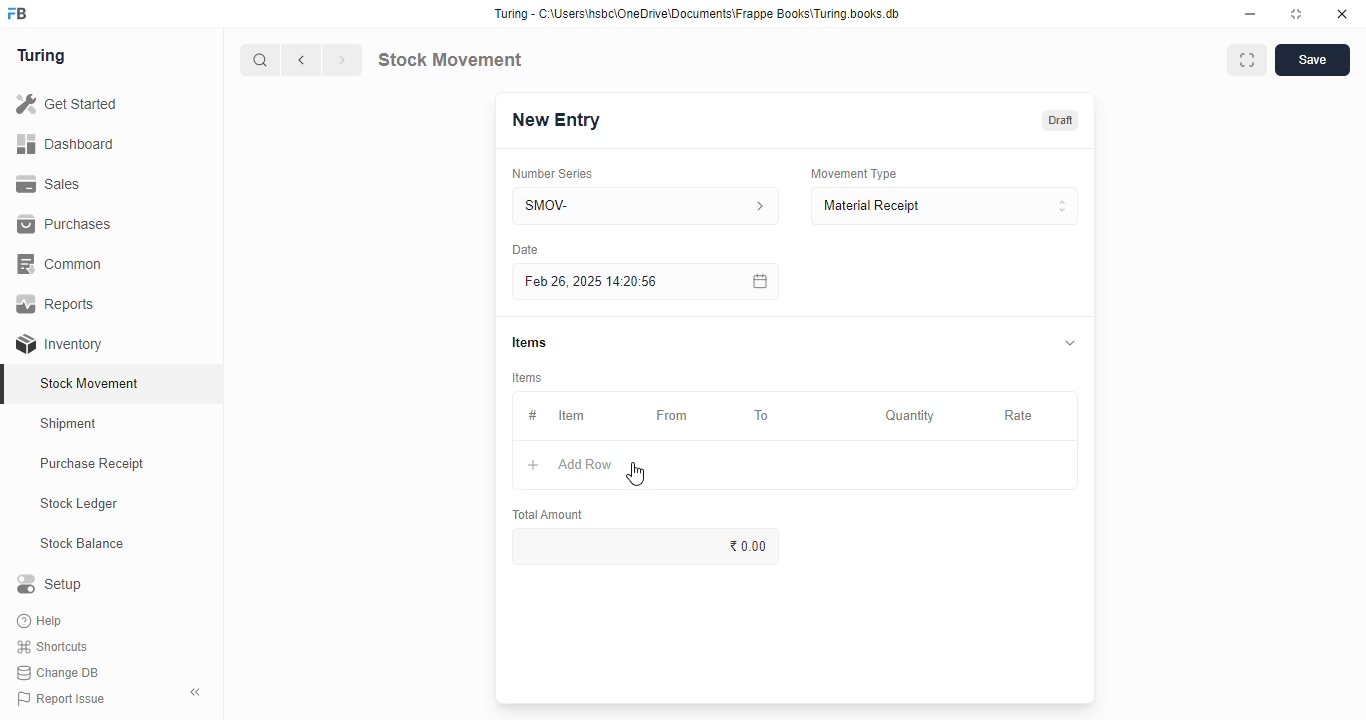 This screenshot has width=1366, height=720. I want to click on close, so click(1342, 14).